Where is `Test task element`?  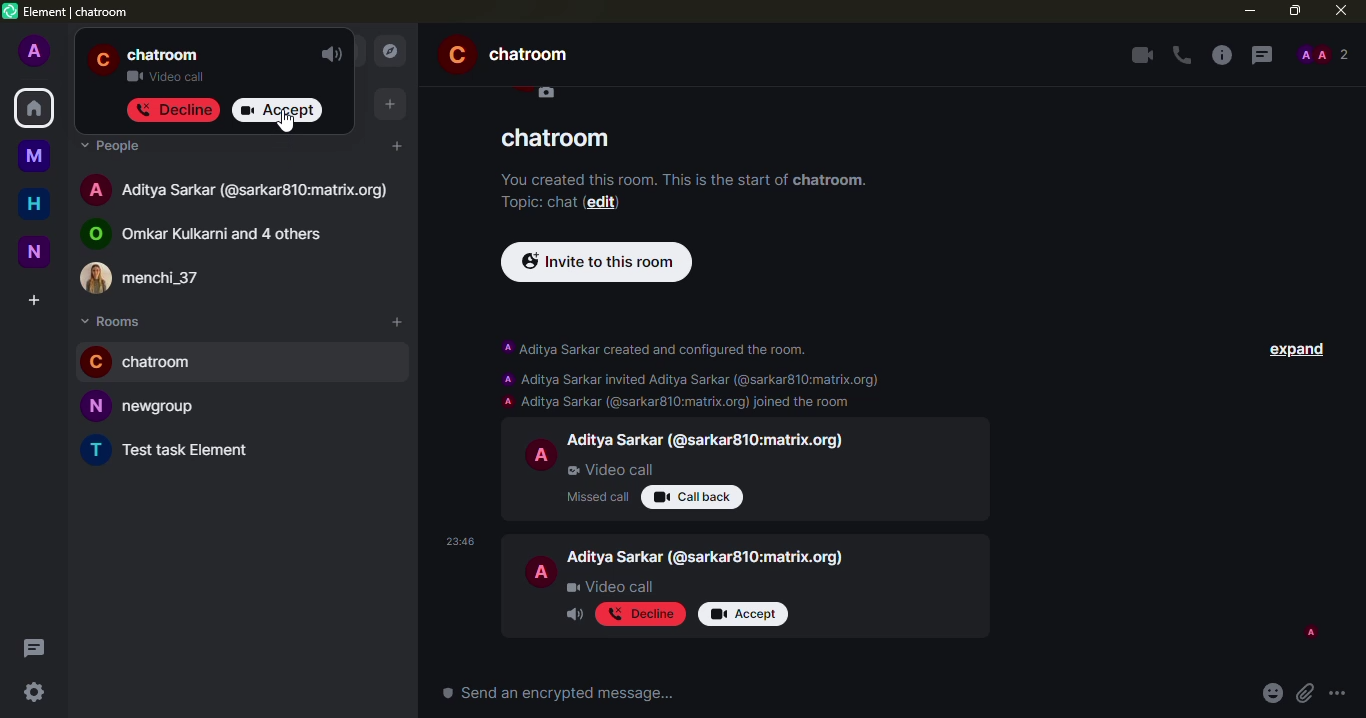 Test task element is located at coordinates (171, 451).